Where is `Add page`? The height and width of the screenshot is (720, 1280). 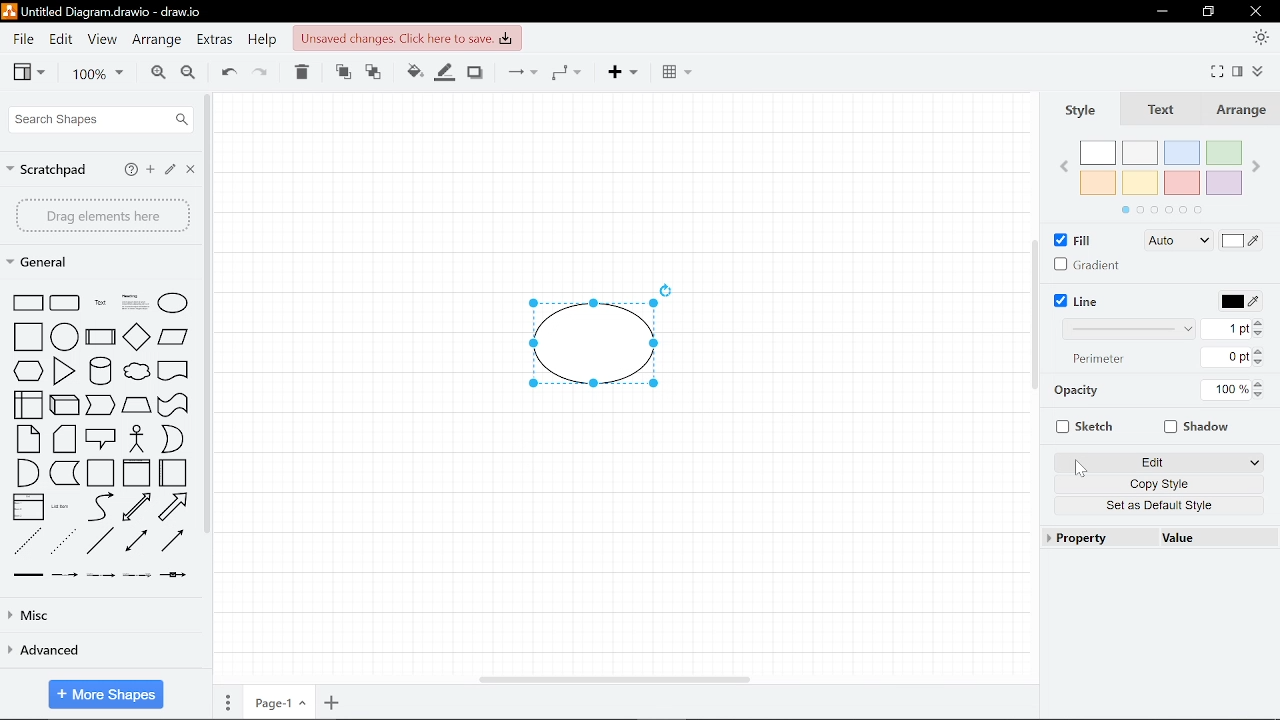
Add page is located at coordinates (334, 702).